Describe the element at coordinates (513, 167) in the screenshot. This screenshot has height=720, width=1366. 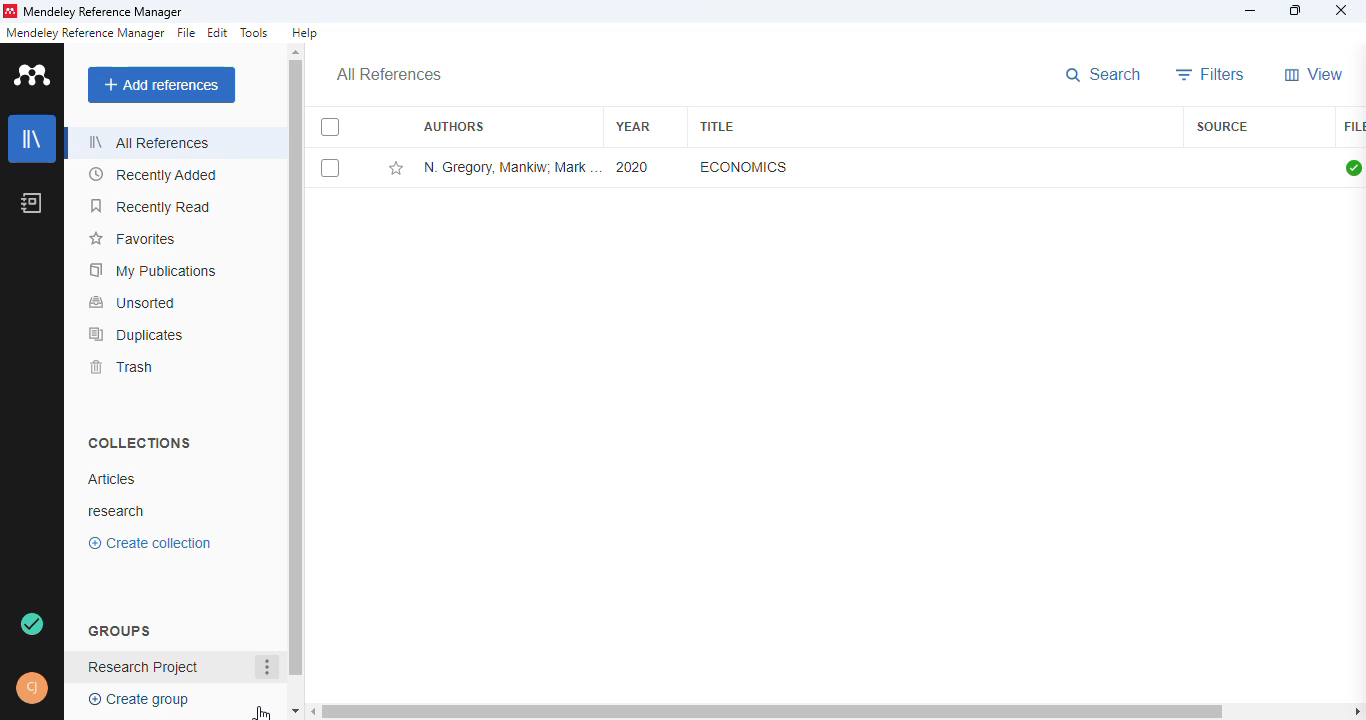
I see `N. Gregory Mankiw, Mark P. Taylor` at that location.